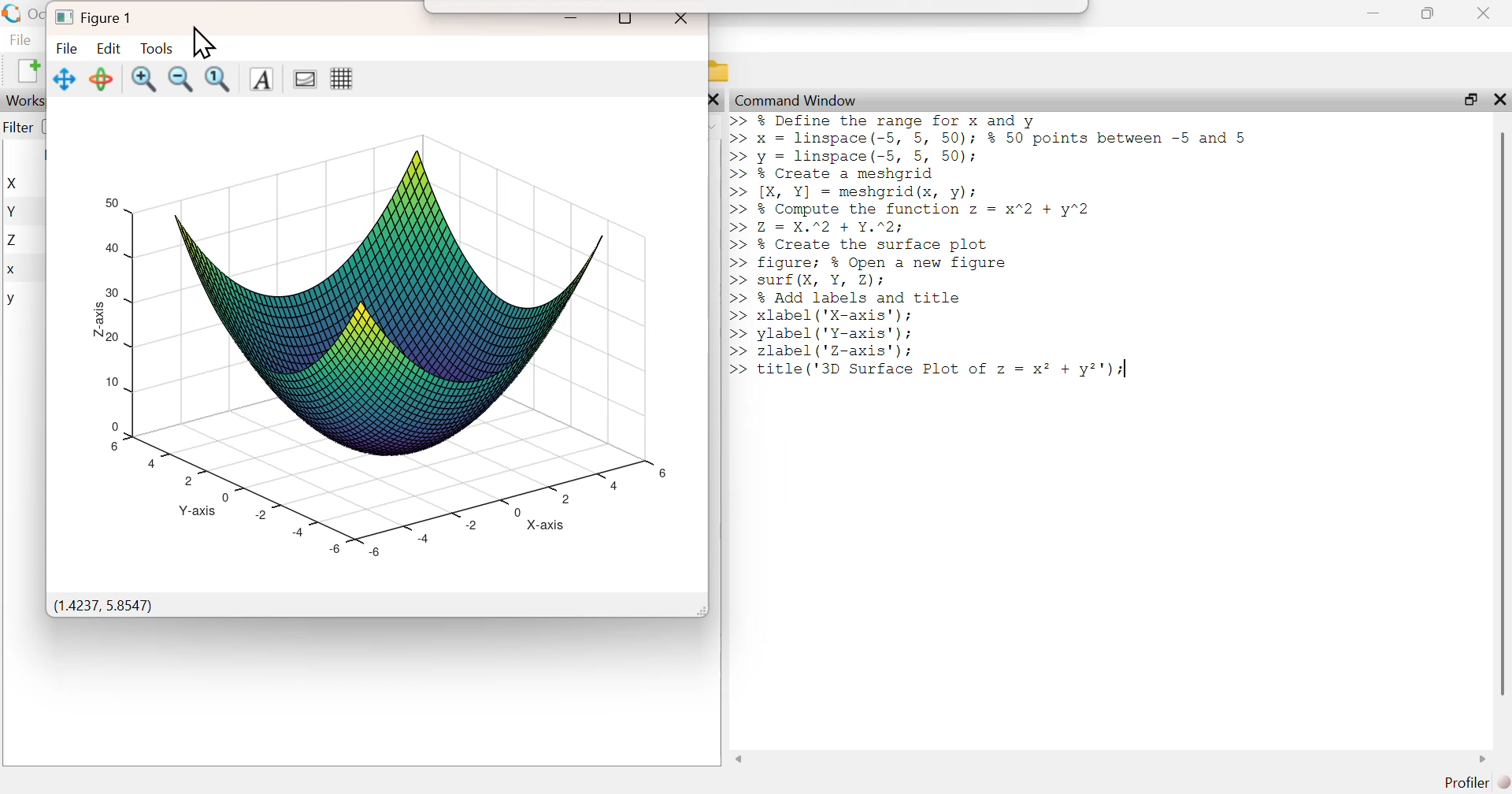 The width and height of the screenshot is (1512, 794). What do you see at coordinates (343, 78) in the screenshot?
I see `Grid` at bounding box center [343, 78].